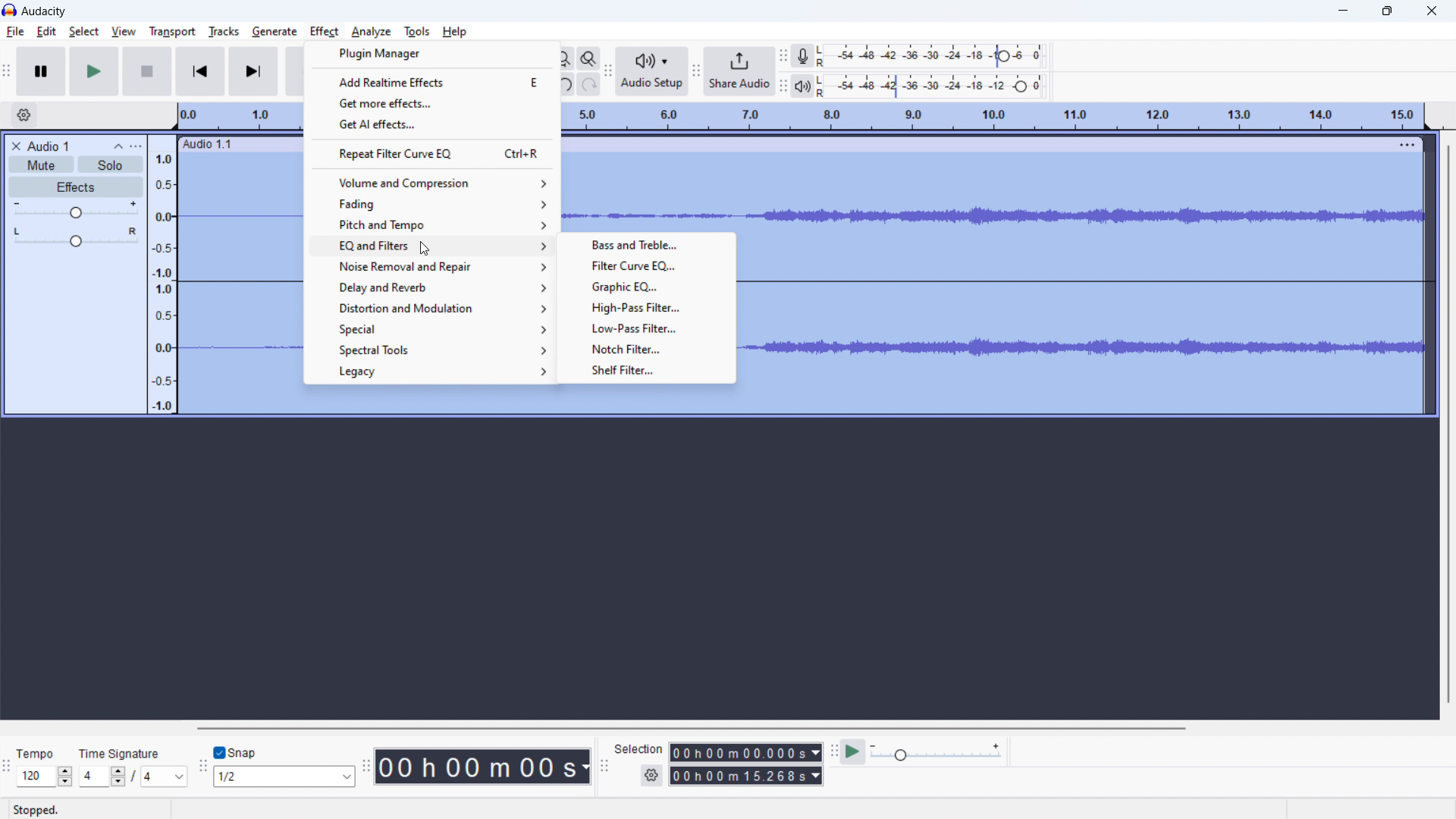  What do you see at coordinates (163, 274) in the screenshot?
I see `amplitude` at bounding box center [163, 274].